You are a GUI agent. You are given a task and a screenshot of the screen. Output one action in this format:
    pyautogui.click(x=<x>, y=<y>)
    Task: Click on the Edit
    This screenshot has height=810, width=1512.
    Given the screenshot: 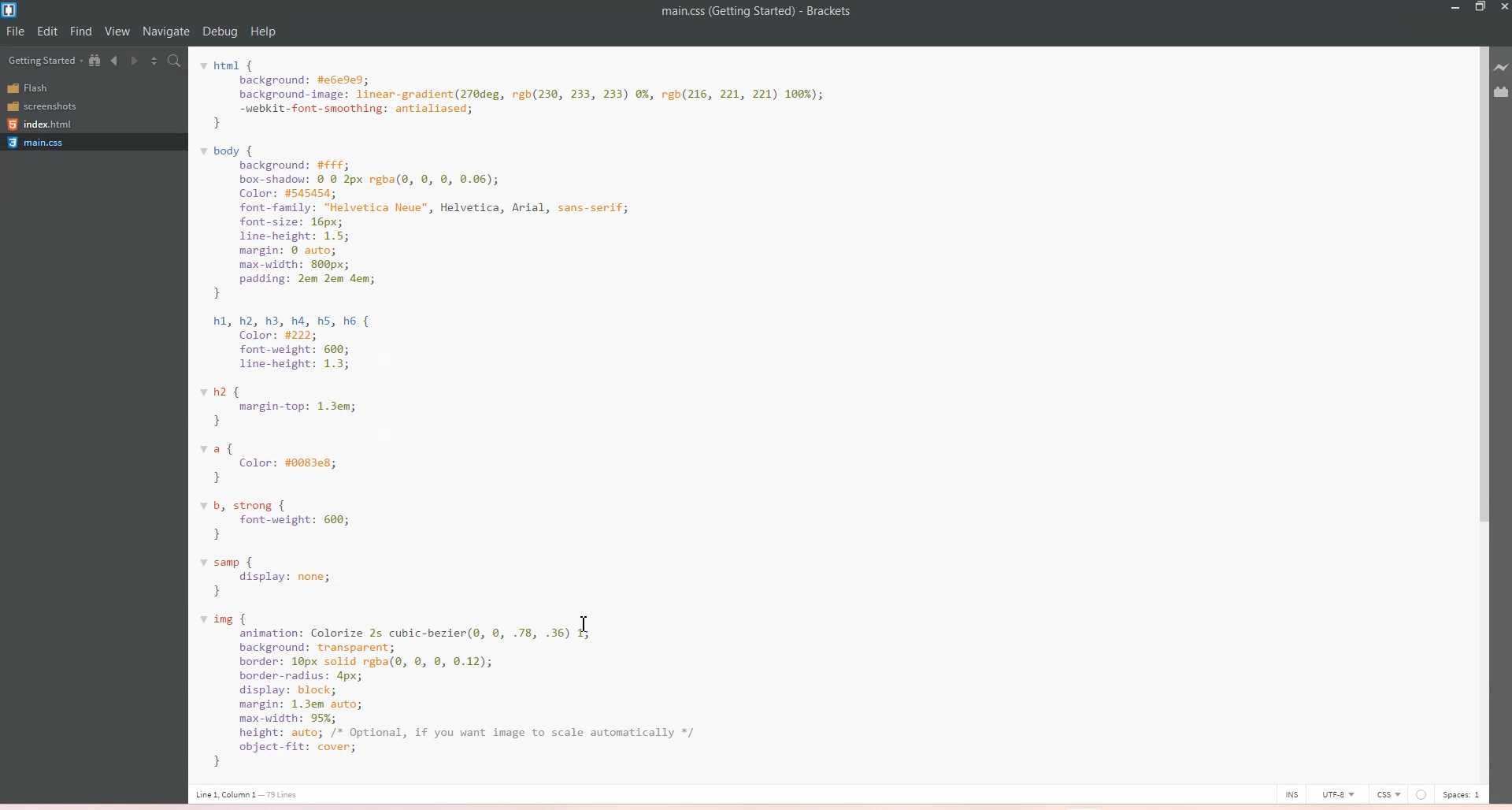 What is the action you would take?
    pyautogui.click(x=48, y=32)
    